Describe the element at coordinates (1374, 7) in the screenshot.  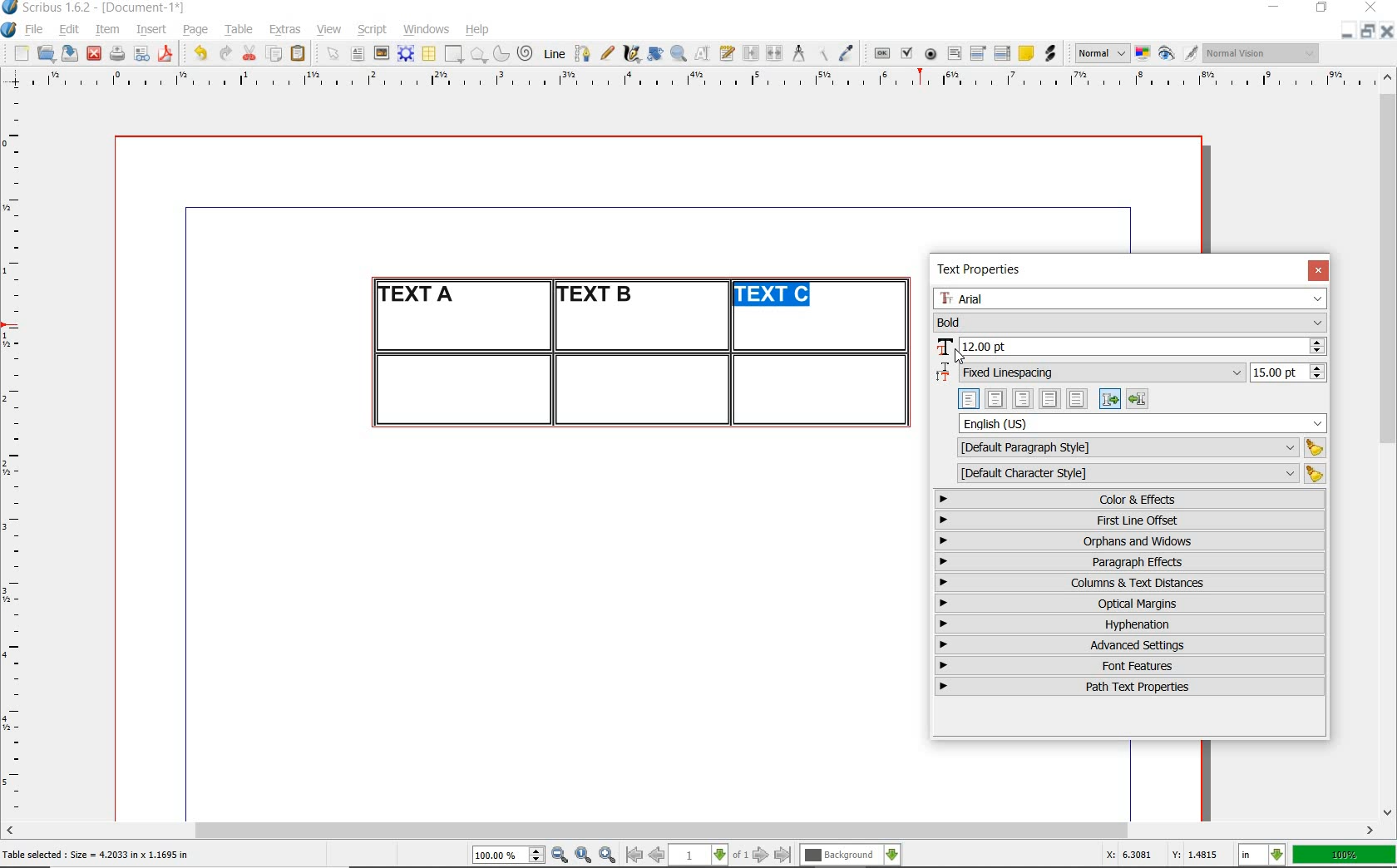
I see `close` at that location.